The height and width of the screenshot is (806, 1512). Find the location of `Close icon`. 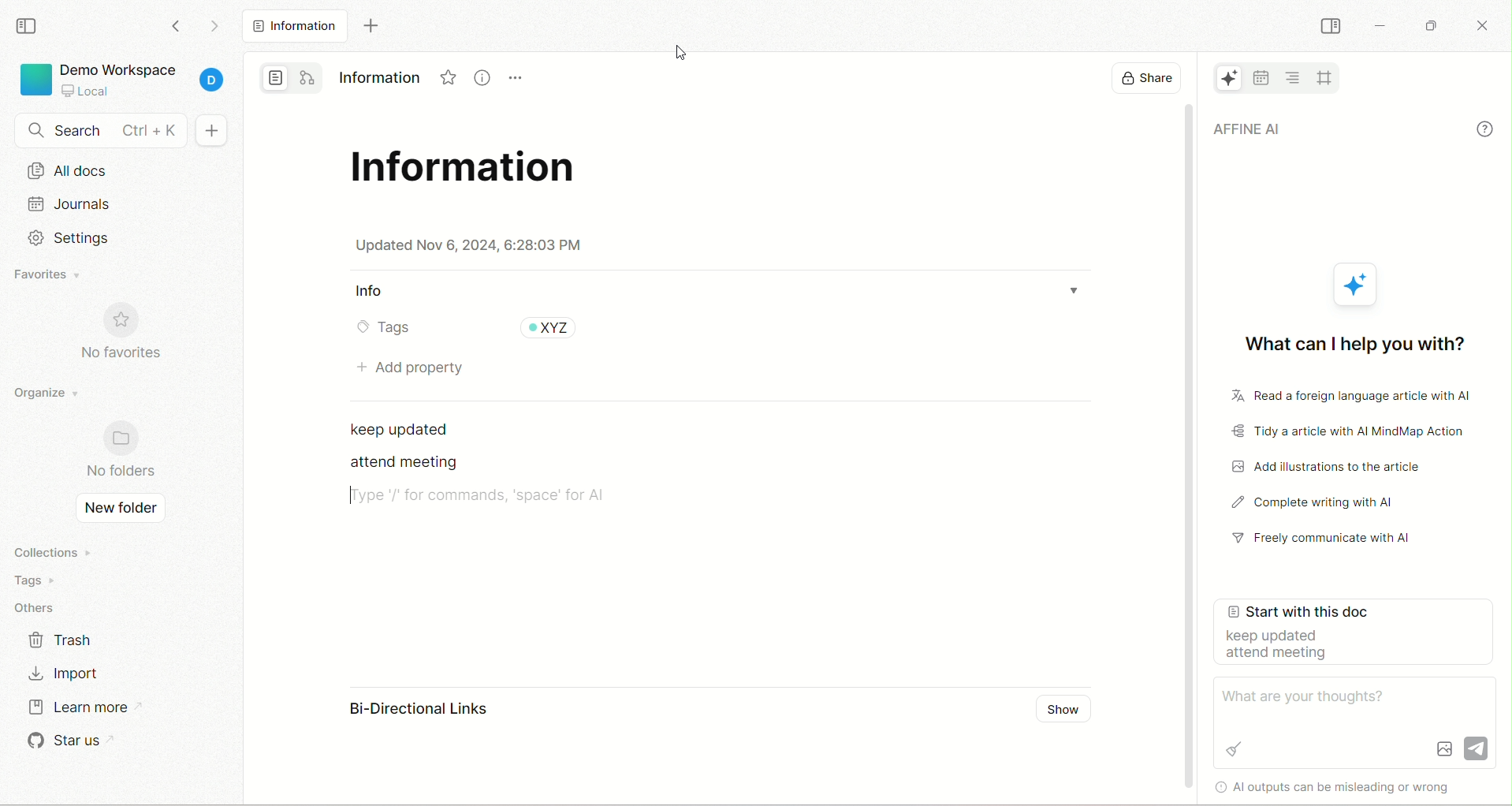

Close icon is located at coordinates (1486, 27).